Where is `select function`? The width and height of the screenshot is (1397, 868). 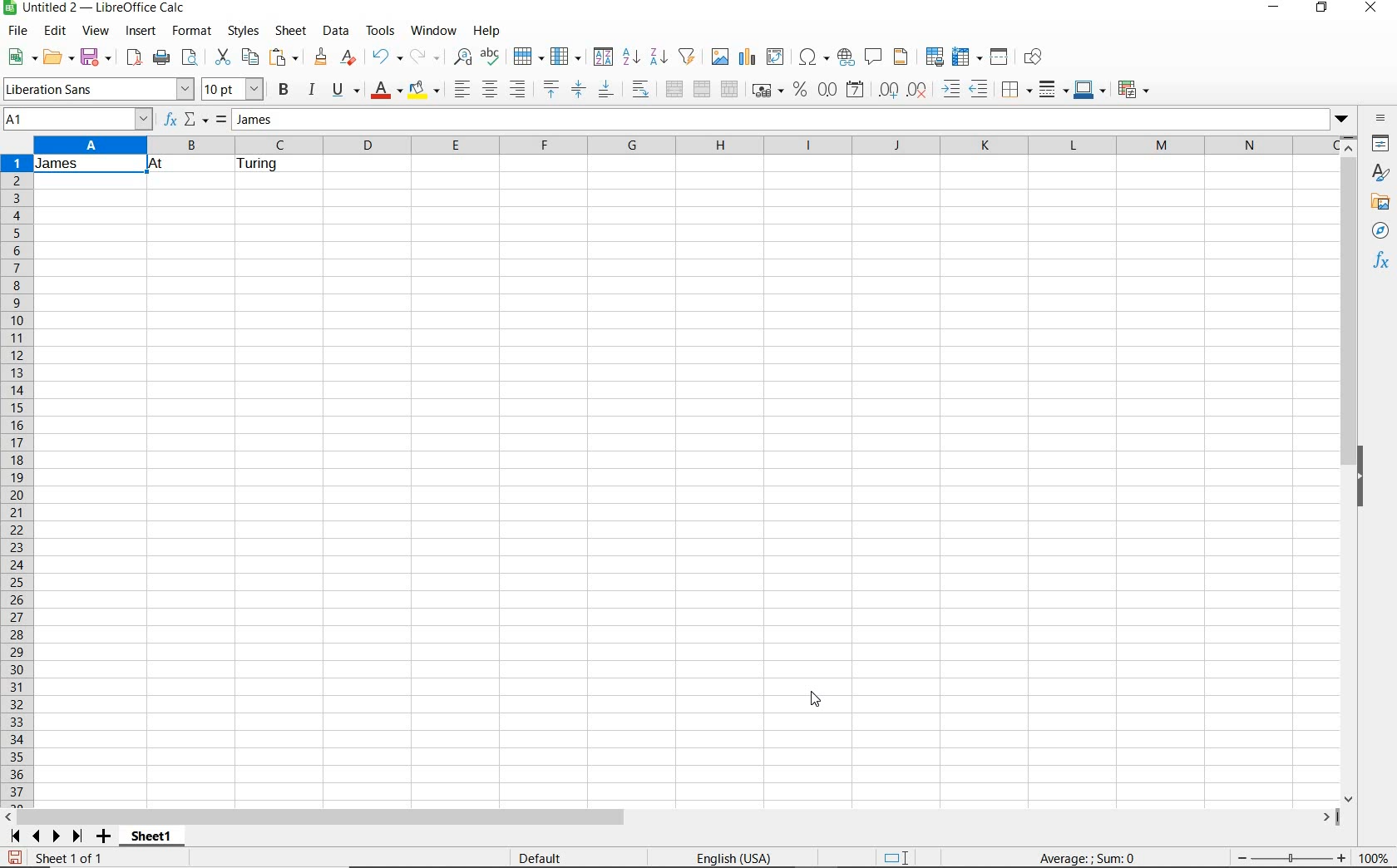 select function is located at coordinates (197, 121).